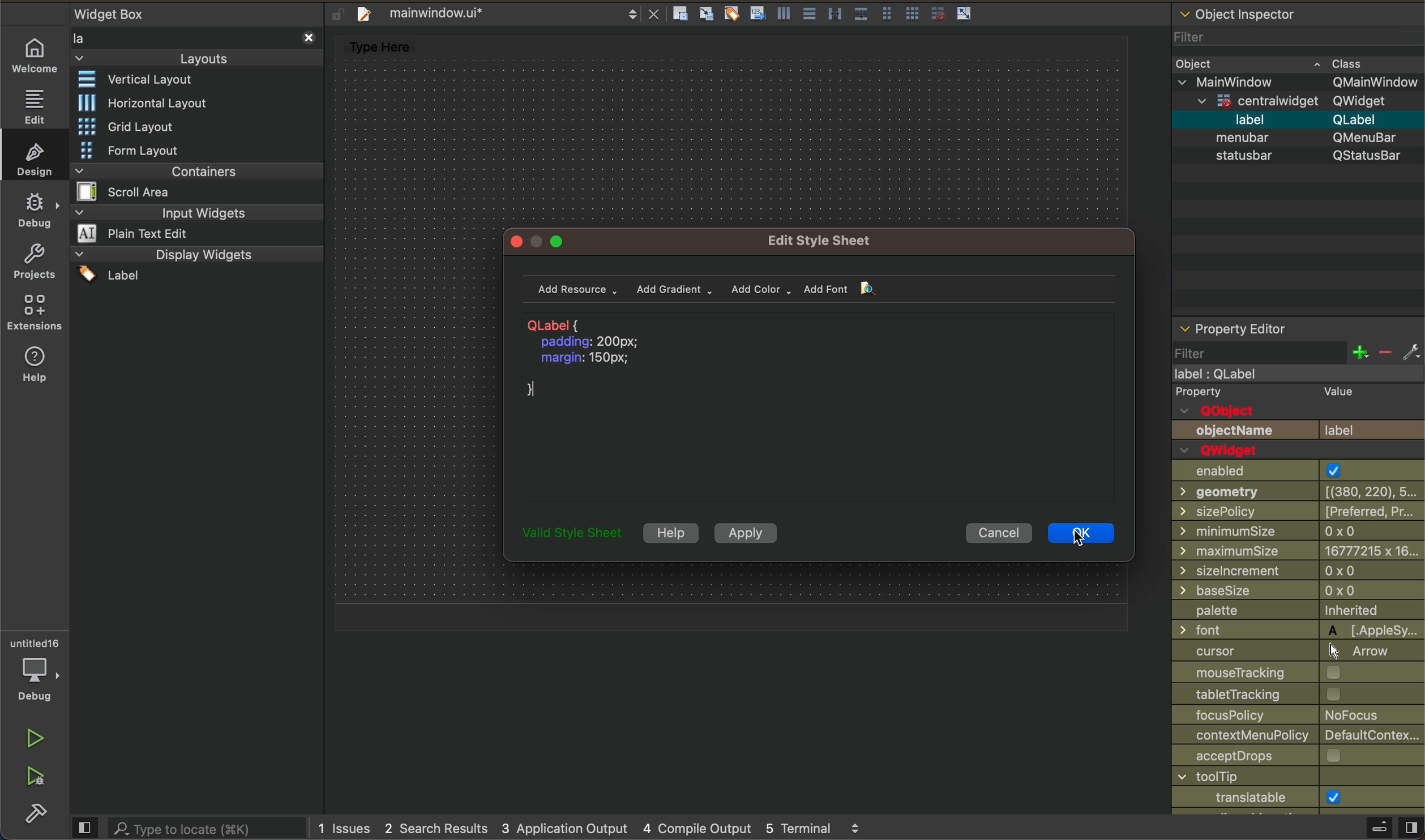  I want to click on layouts, so click(202, 49).